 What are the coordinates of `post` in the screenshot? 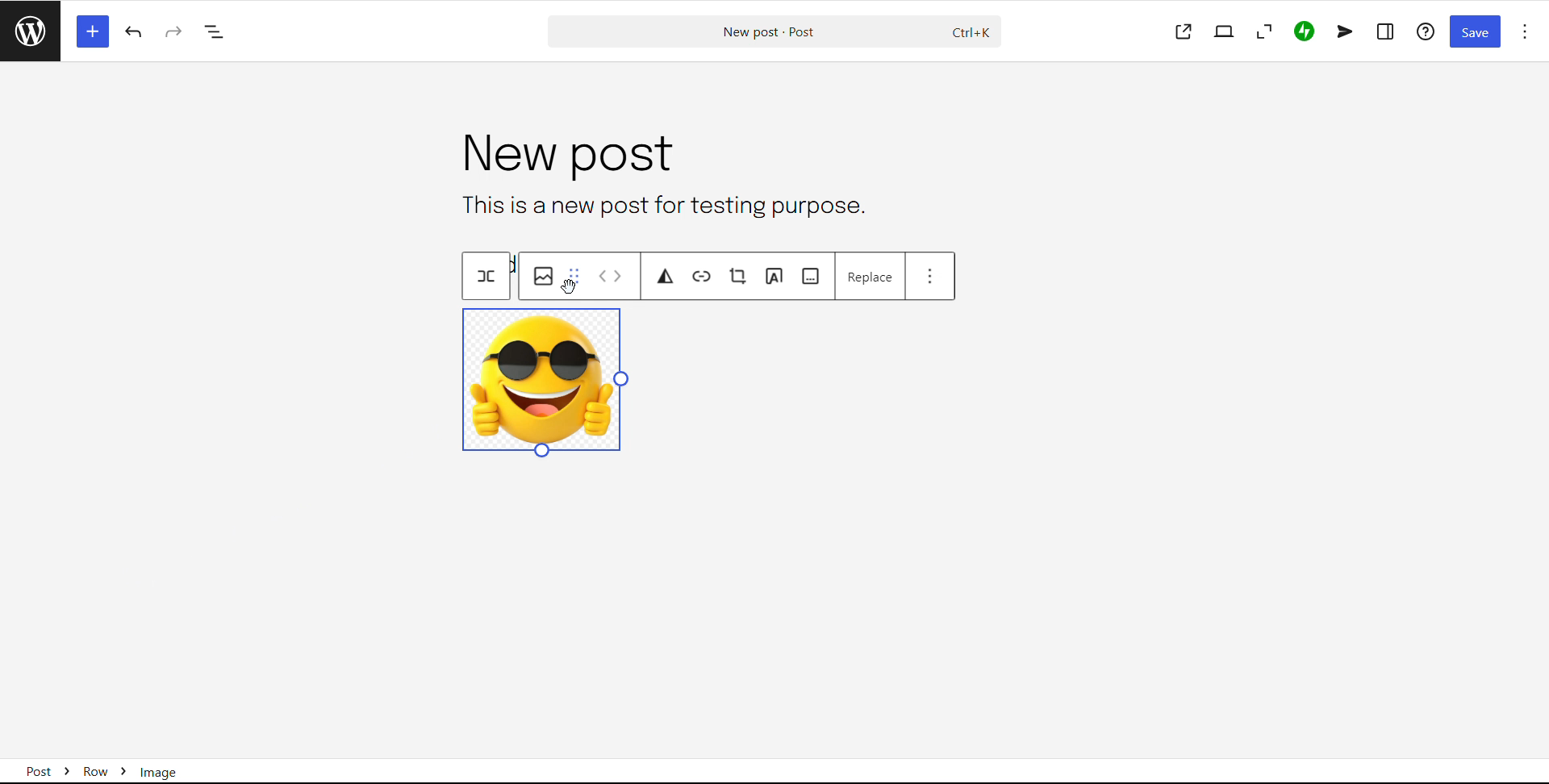 It's located at (563, 155).